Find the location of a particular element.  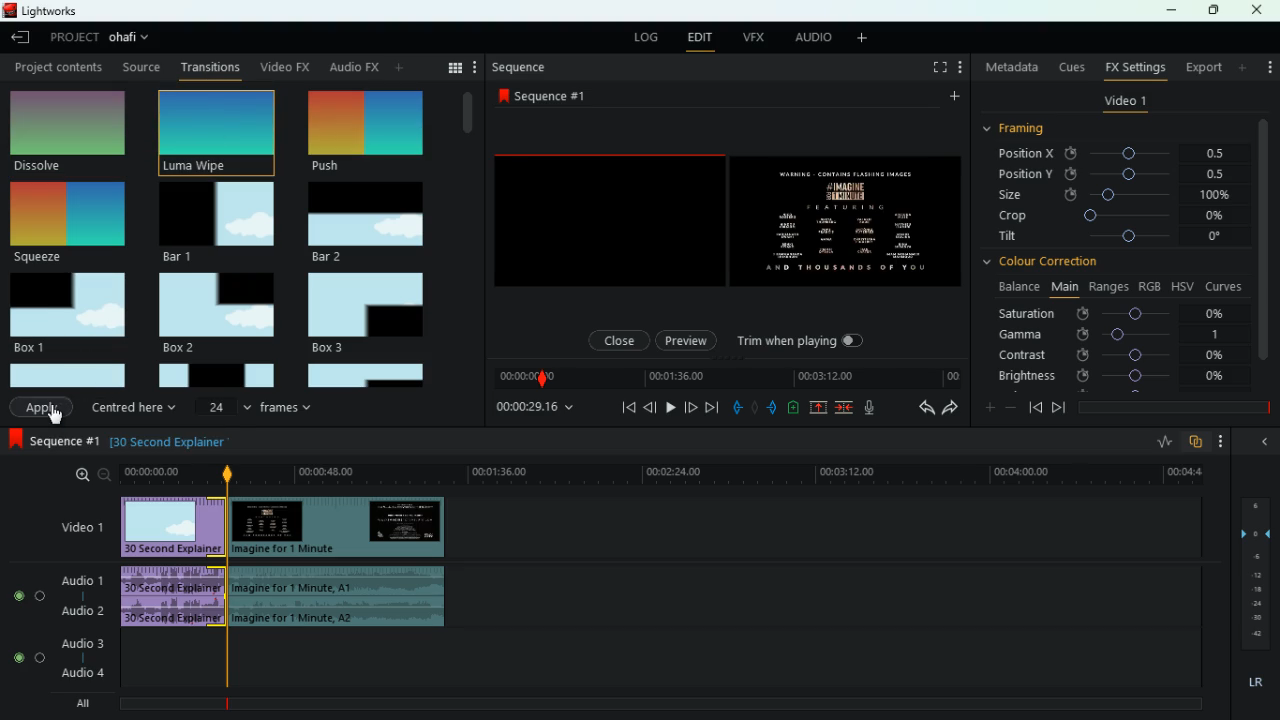

project name is located at coordinates (133, 39).